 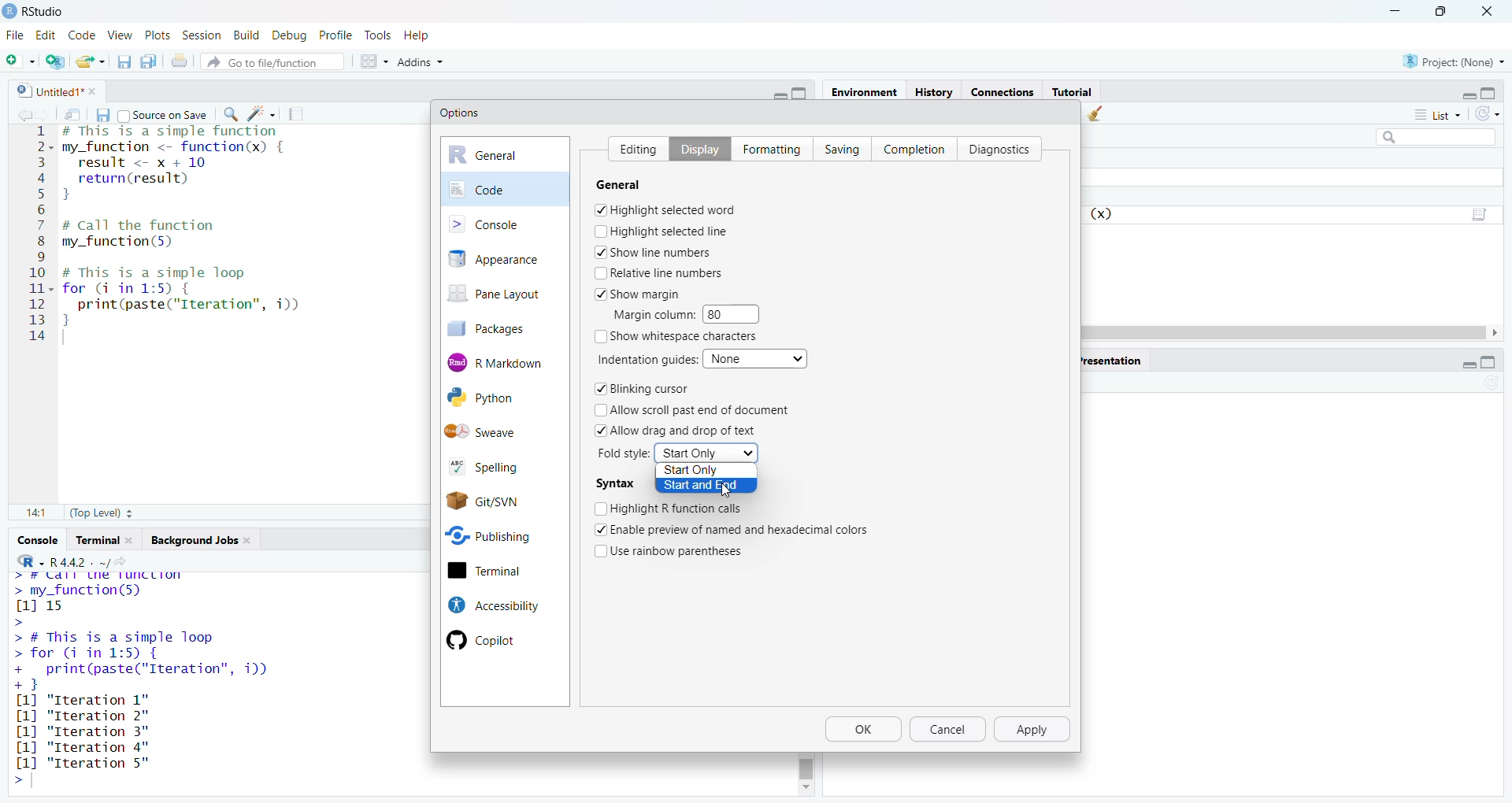 I want to click on Options, so click(x=461, y=113).